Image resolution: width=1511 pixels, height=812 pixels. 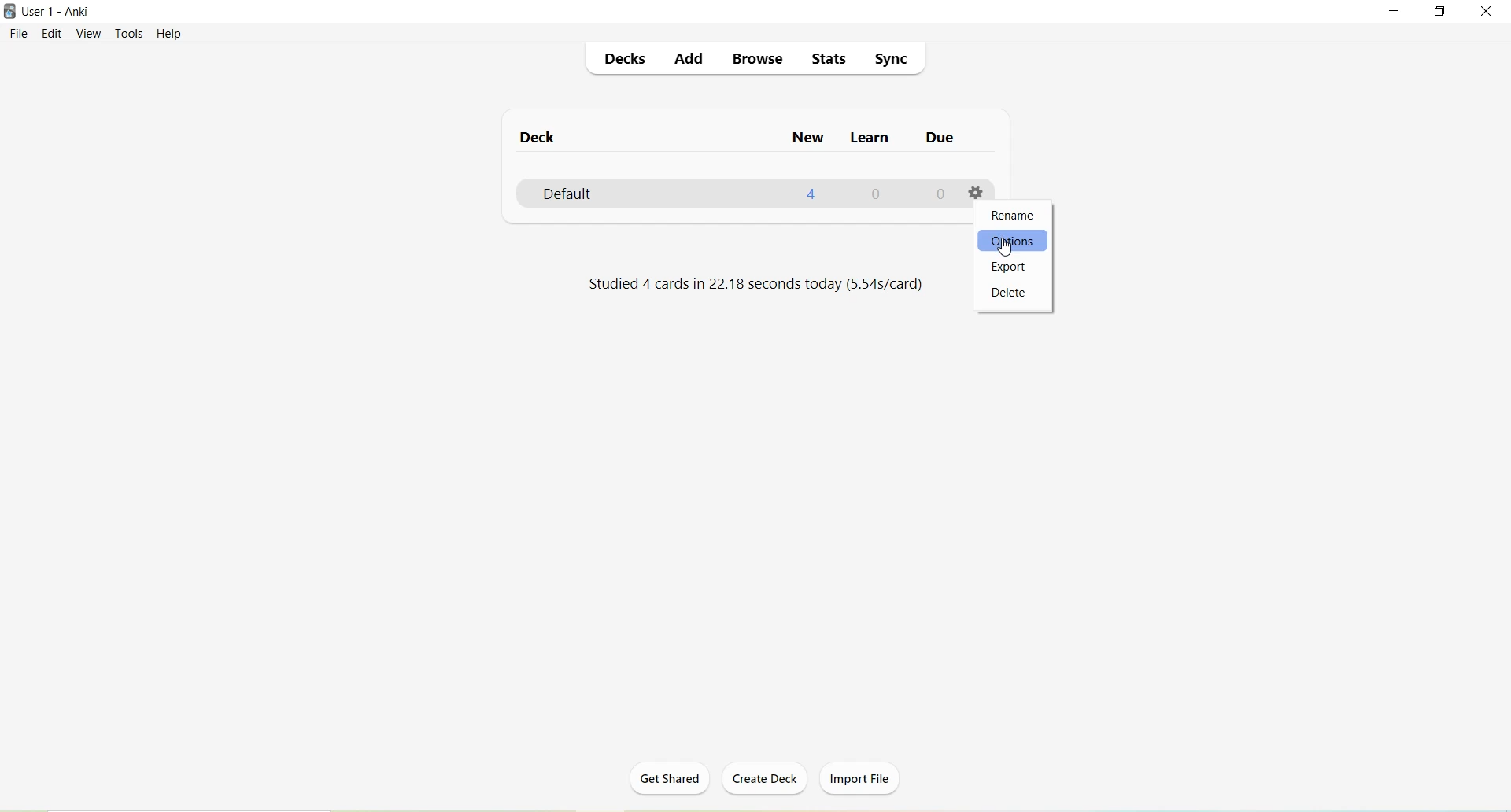 What do you see at coordinates (1439, 12) in the screenshot?
I see `Maximize` at bounding box center [1439, 12].